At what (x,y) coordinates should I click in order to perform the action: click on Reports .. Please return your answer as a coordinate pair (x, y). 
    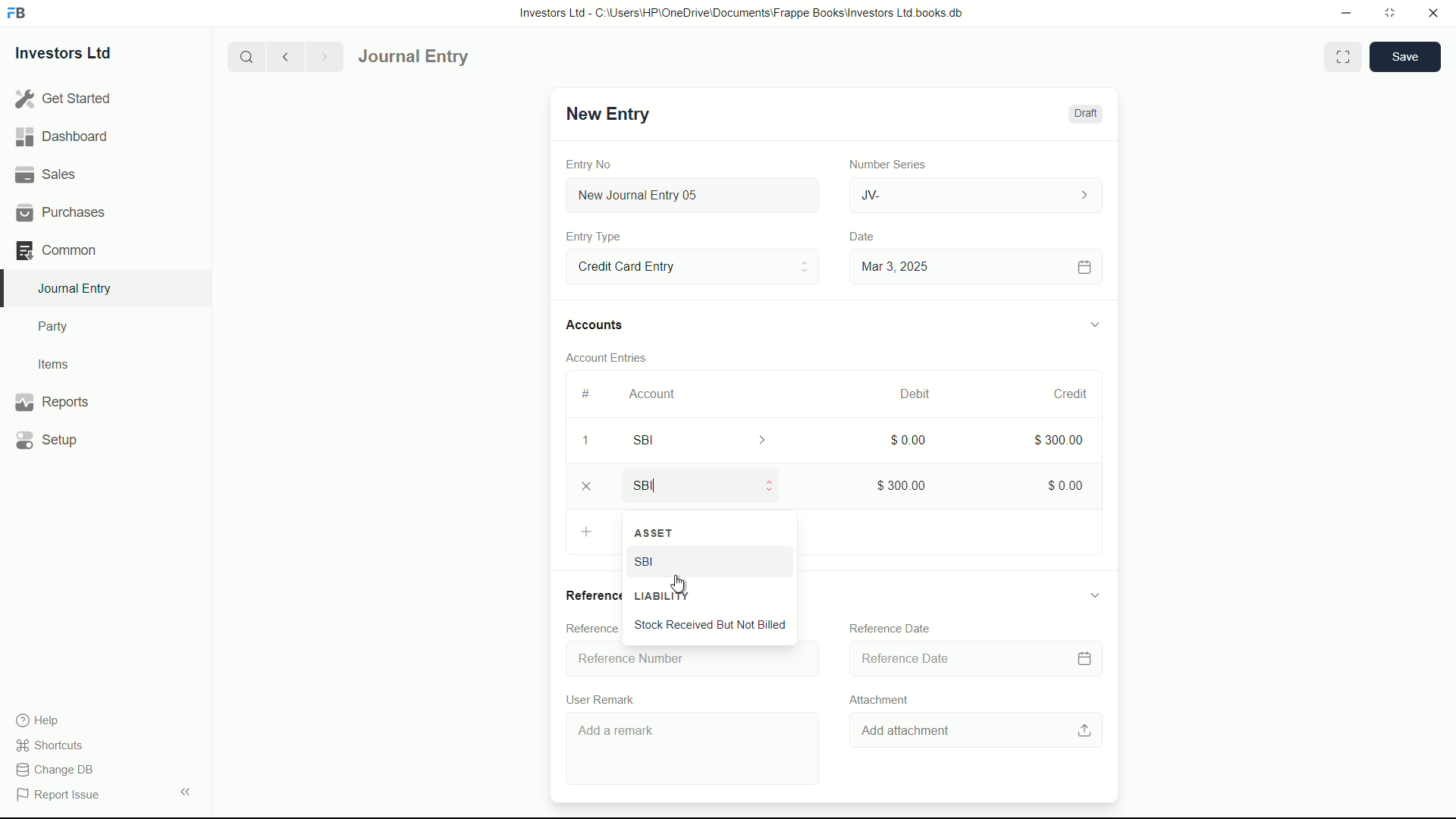
    Looking at the image, I should click on (52, 400).